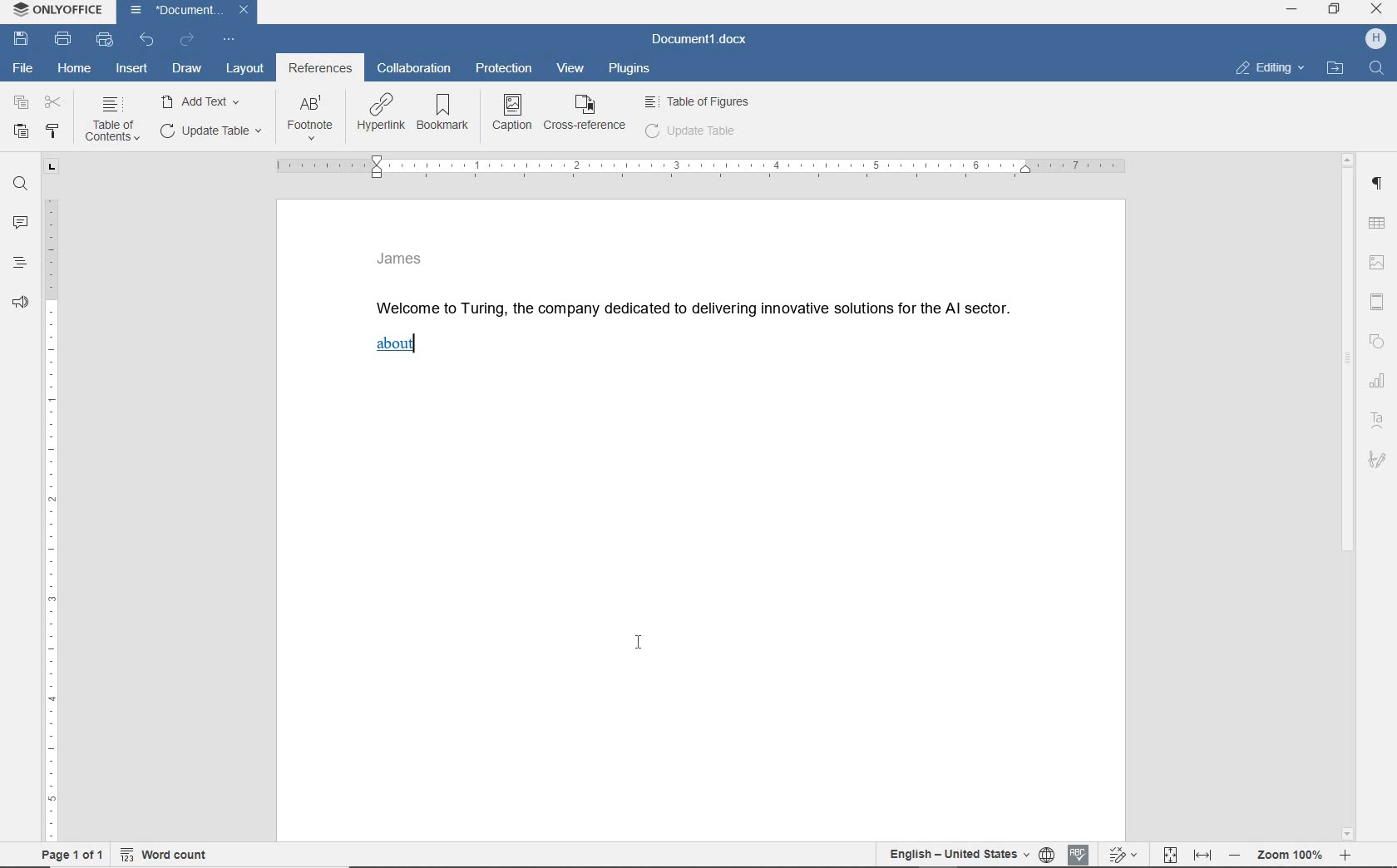 Image resolution: width=1397 pixels, height=868 pixels. Describe the element at coordinates (310, 121) in the screenshot. I see `FOOTNOTE` at that location.